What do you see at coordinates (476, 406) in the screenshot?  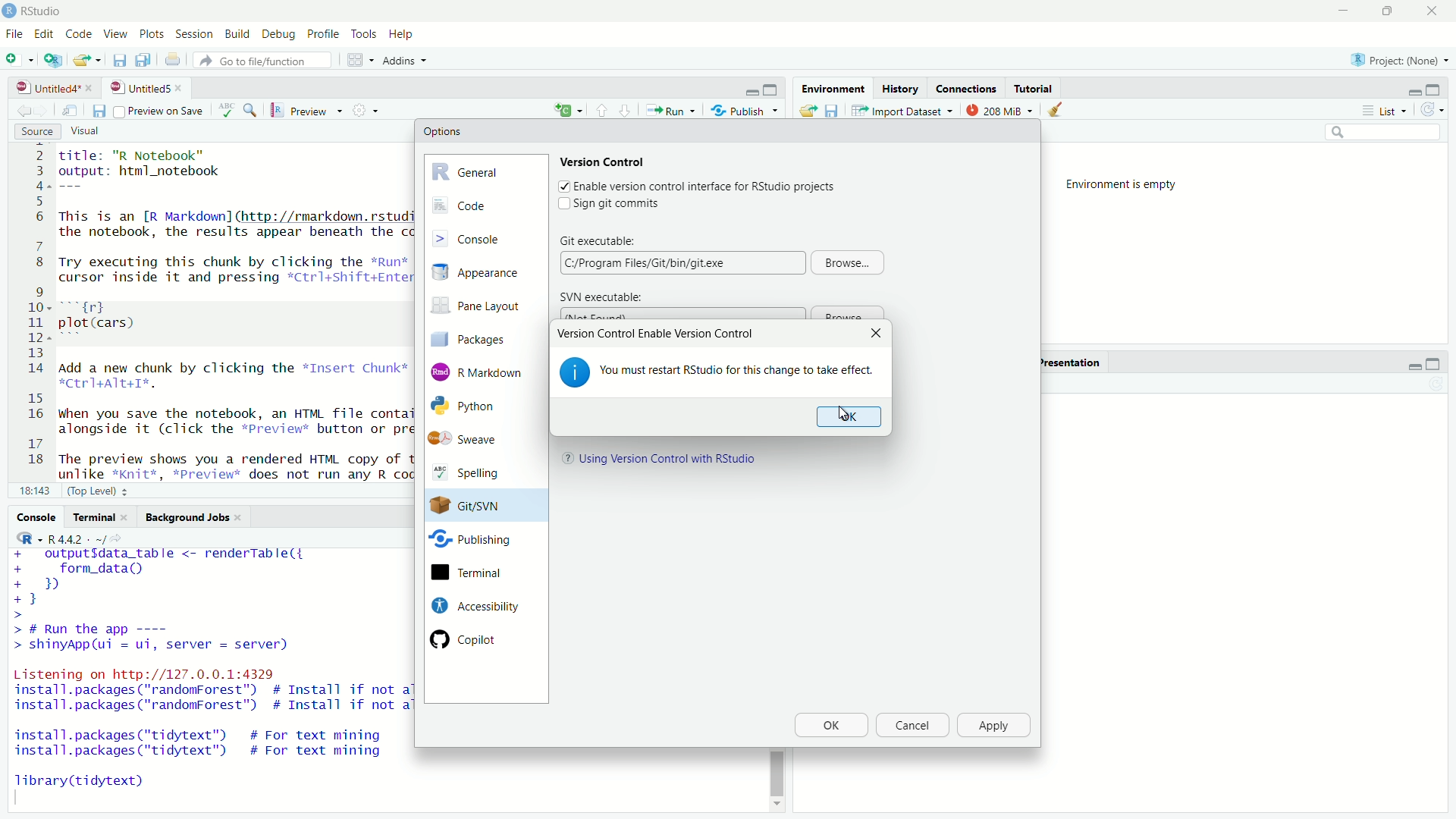 I see `python` at bounding box center [476, 406].